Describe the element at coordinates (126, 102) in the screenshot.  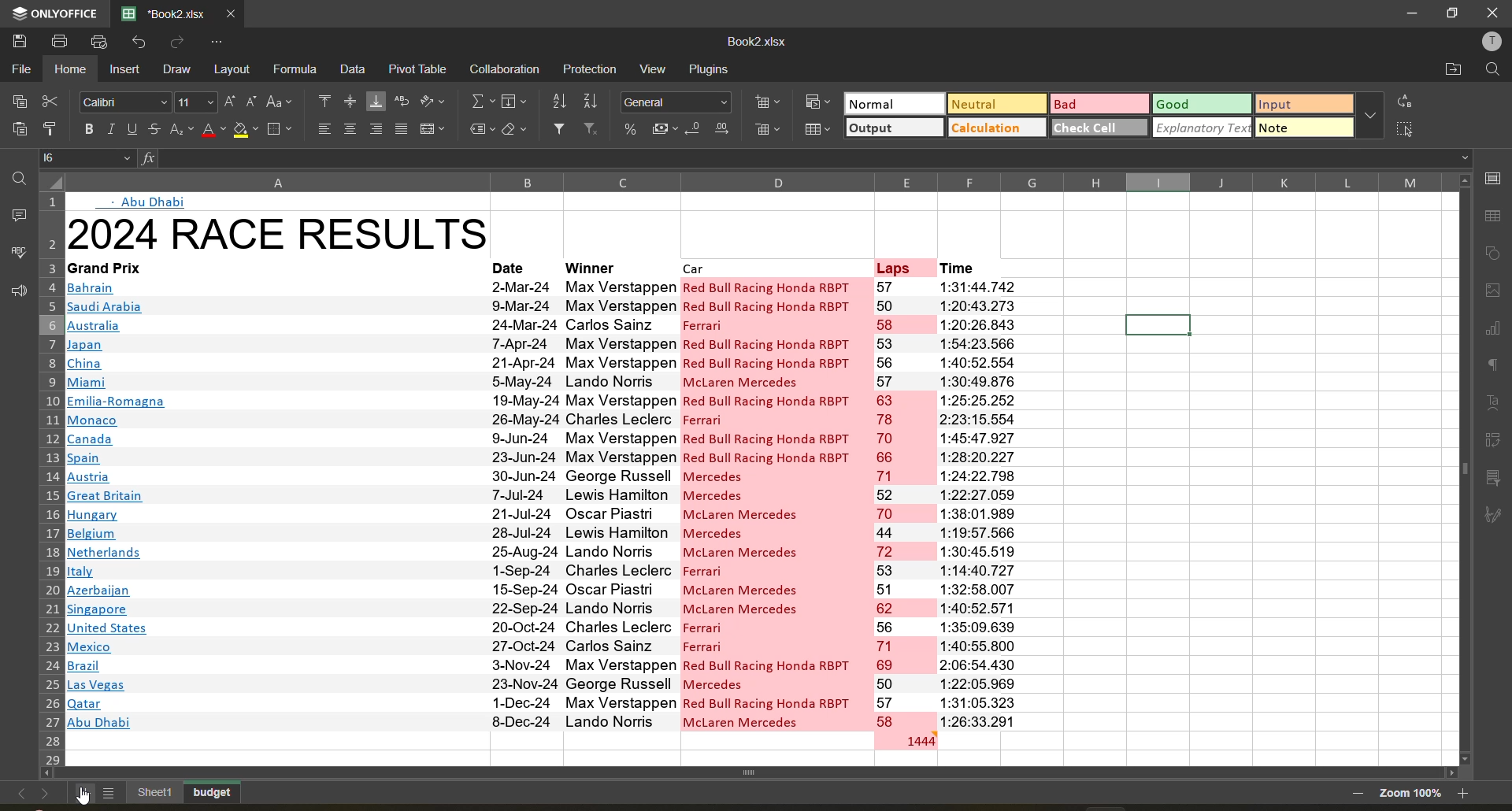
I see `font style` at that location.